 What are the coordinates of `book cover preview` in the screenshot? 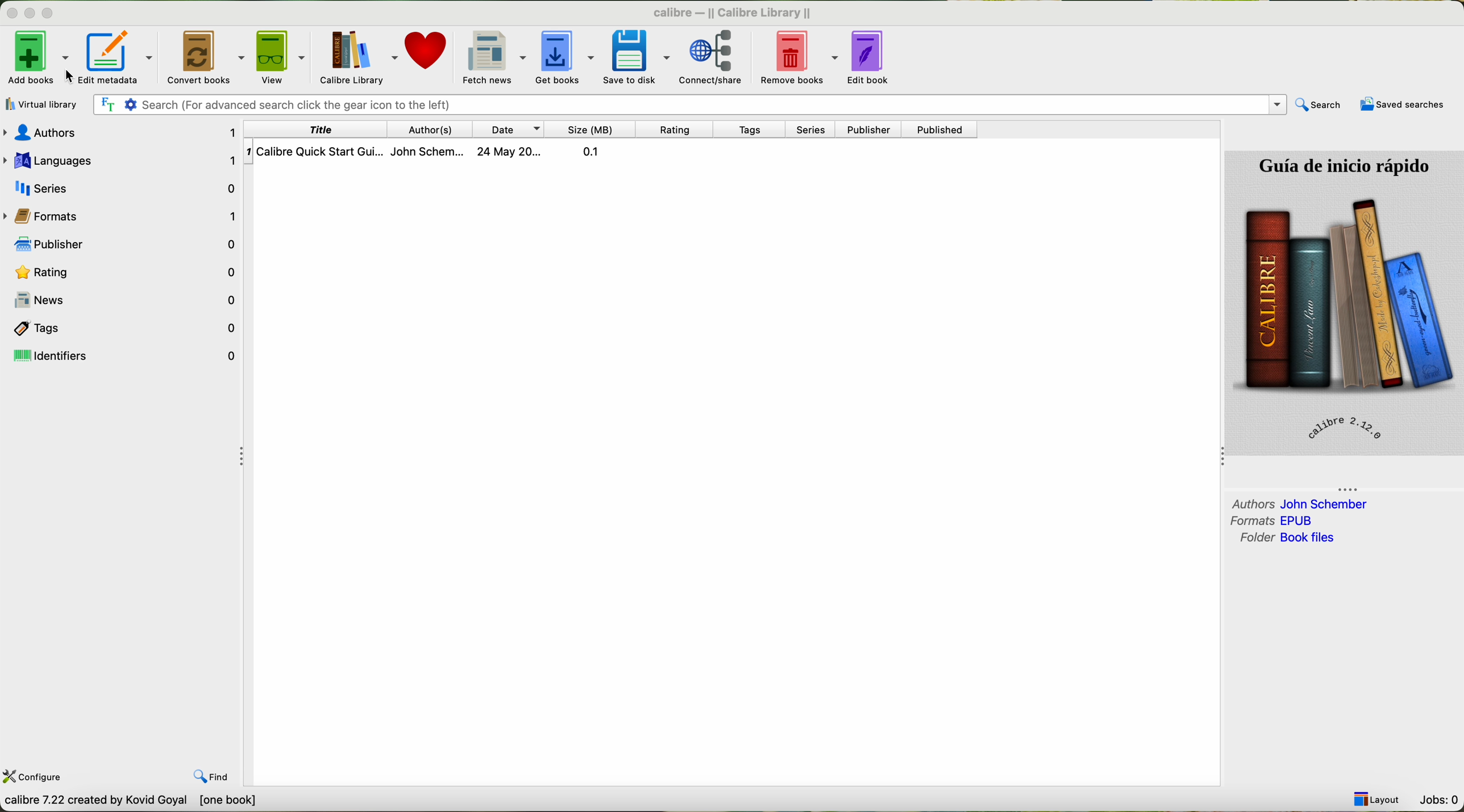 It's located at (1344, 302).